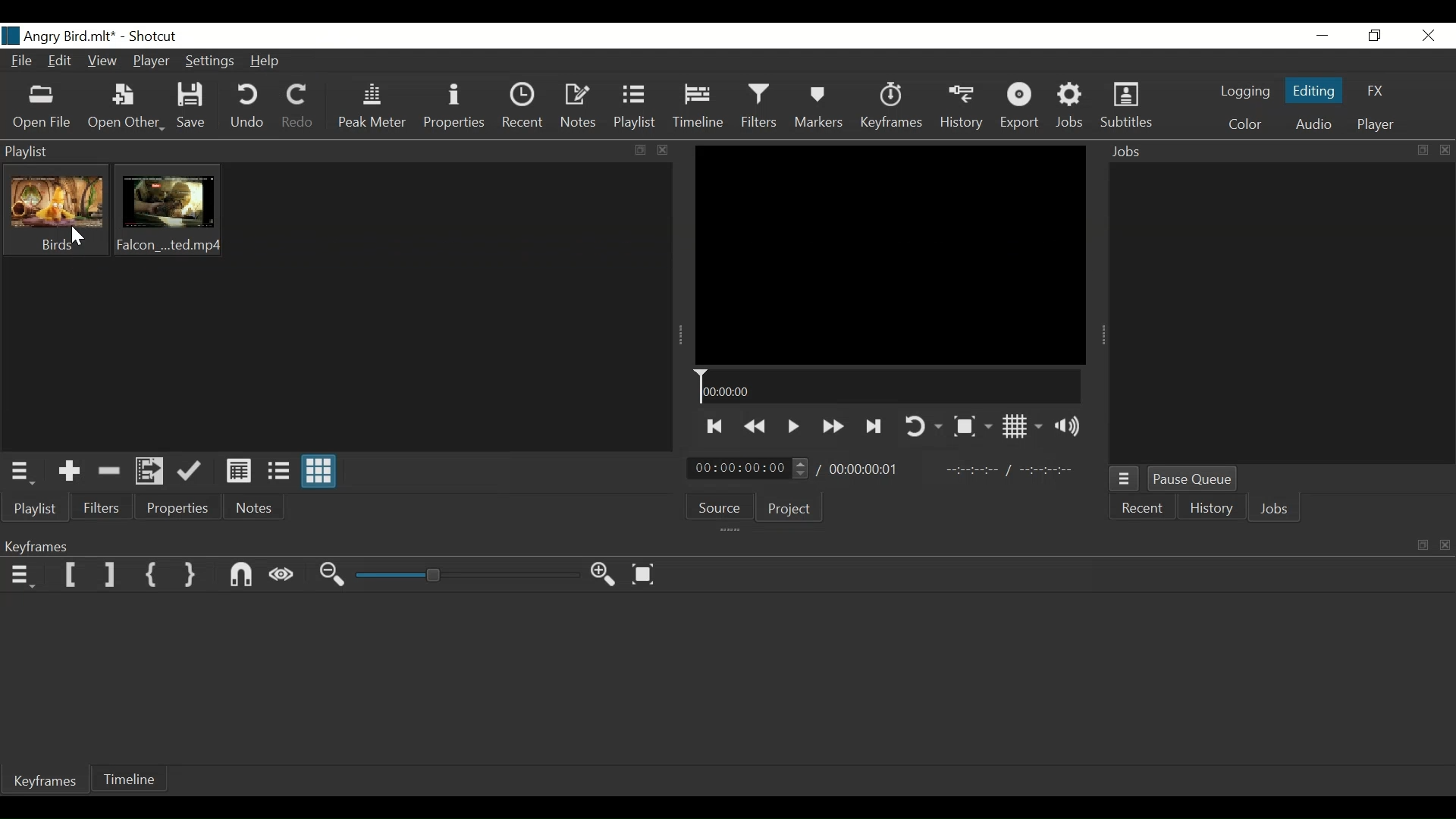 This screenshot has height=819, width=1456. What do you see at coordinates (1239, 93) in the screenshot?
I see `logging` at bounding box center [1239, 93].